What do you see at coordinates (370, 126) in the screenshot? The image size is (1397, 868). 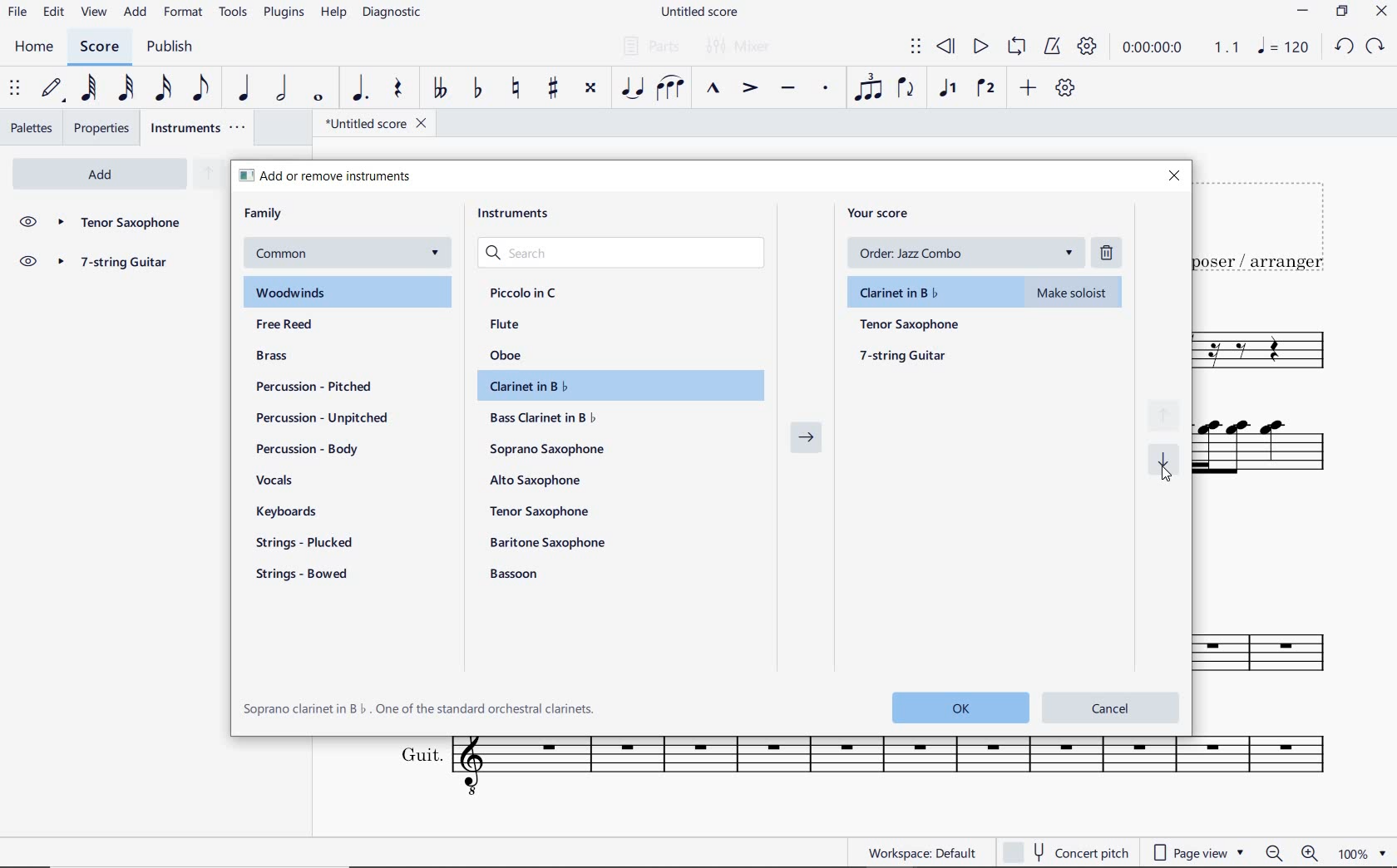 I see `FILE NAME` at bounding box center [370, 126].